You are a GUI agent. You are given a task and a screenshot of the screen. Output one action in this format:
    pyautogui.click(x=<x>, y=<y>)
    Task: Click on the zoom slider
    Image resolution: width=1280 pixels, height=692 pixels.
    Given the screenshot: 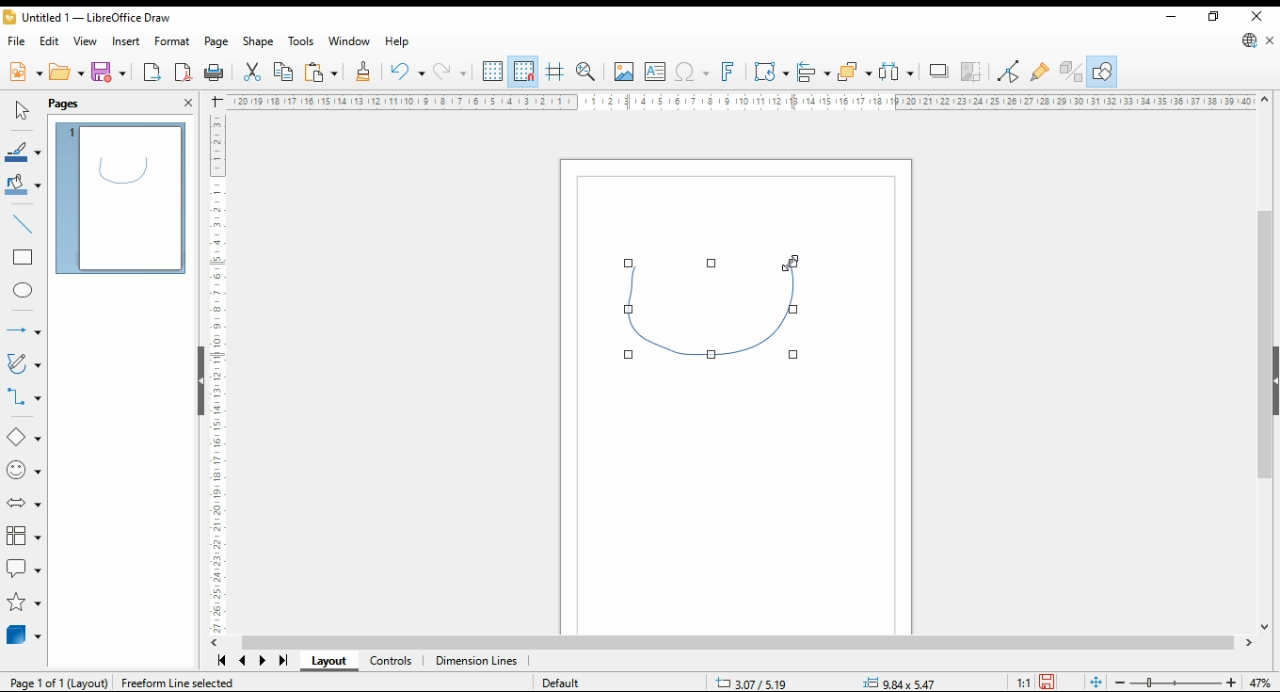 What is the action you would take?
    pyautogui.click(x=1174, y=682)
    